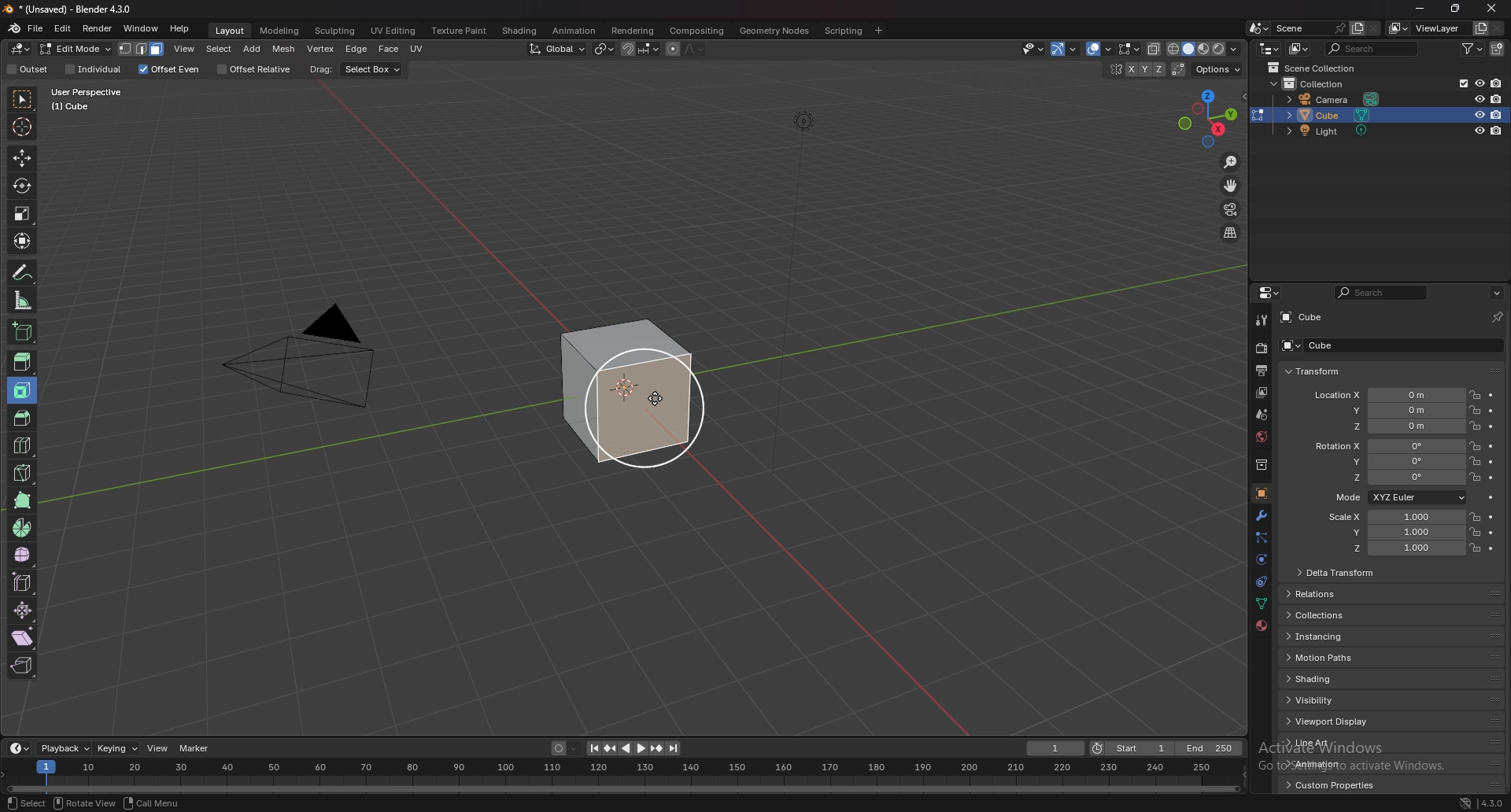 The width and height of the screenshot is (1511, 812). Describe the element at coordinates (1261, 437) in the screenshot. I see `world` at that location.